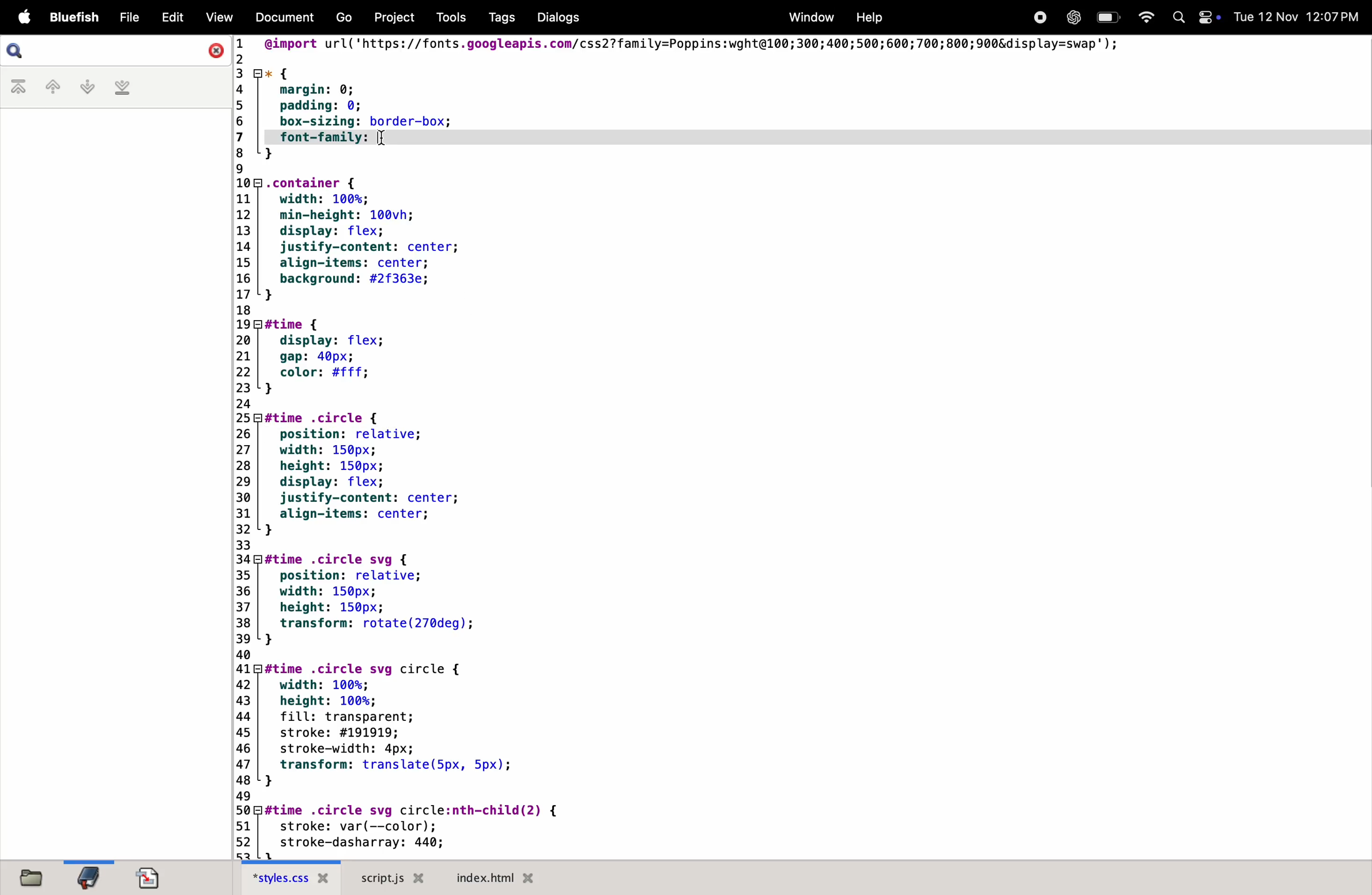 Image resolution: width=1372 pixels, height=895 pixels. What do you see at coordinates (24, 17) in the screenshot?
I see `Apple` at bounding box center [24, 17].